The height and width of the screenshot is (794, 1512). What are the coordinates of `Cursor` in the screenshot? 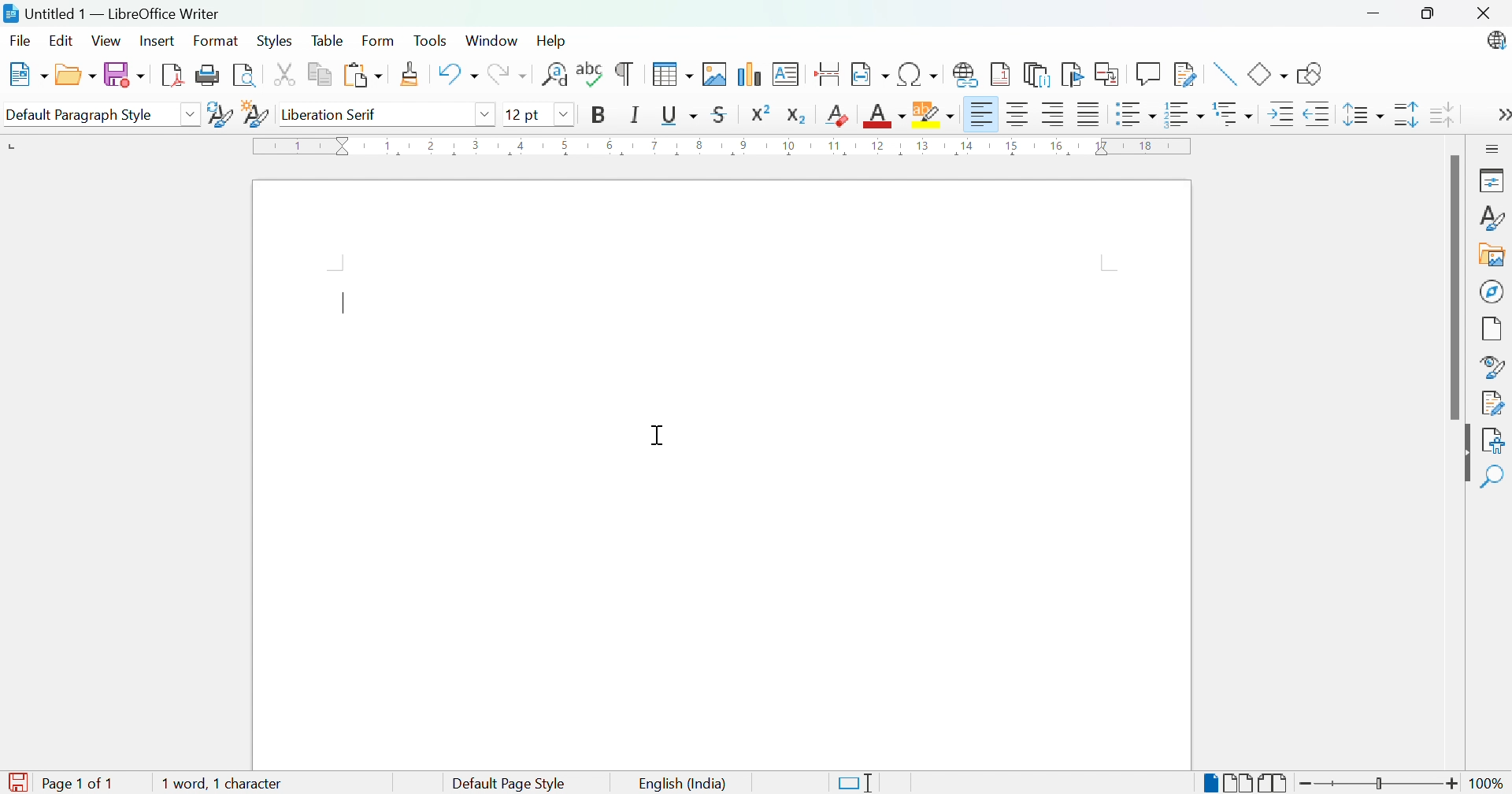 It's located at (661, 436).